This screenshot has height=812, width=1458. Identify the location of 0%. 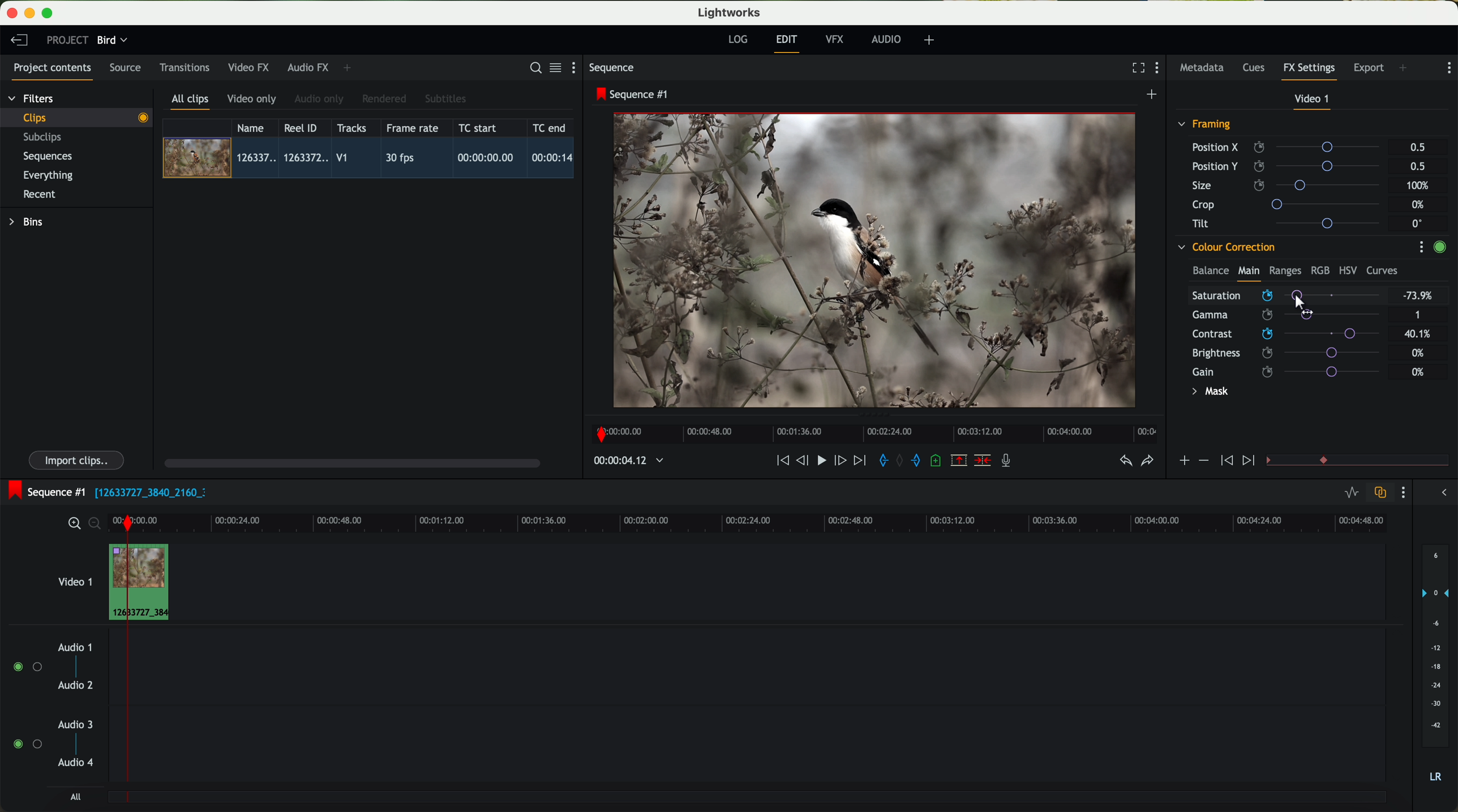
(1418, 351).